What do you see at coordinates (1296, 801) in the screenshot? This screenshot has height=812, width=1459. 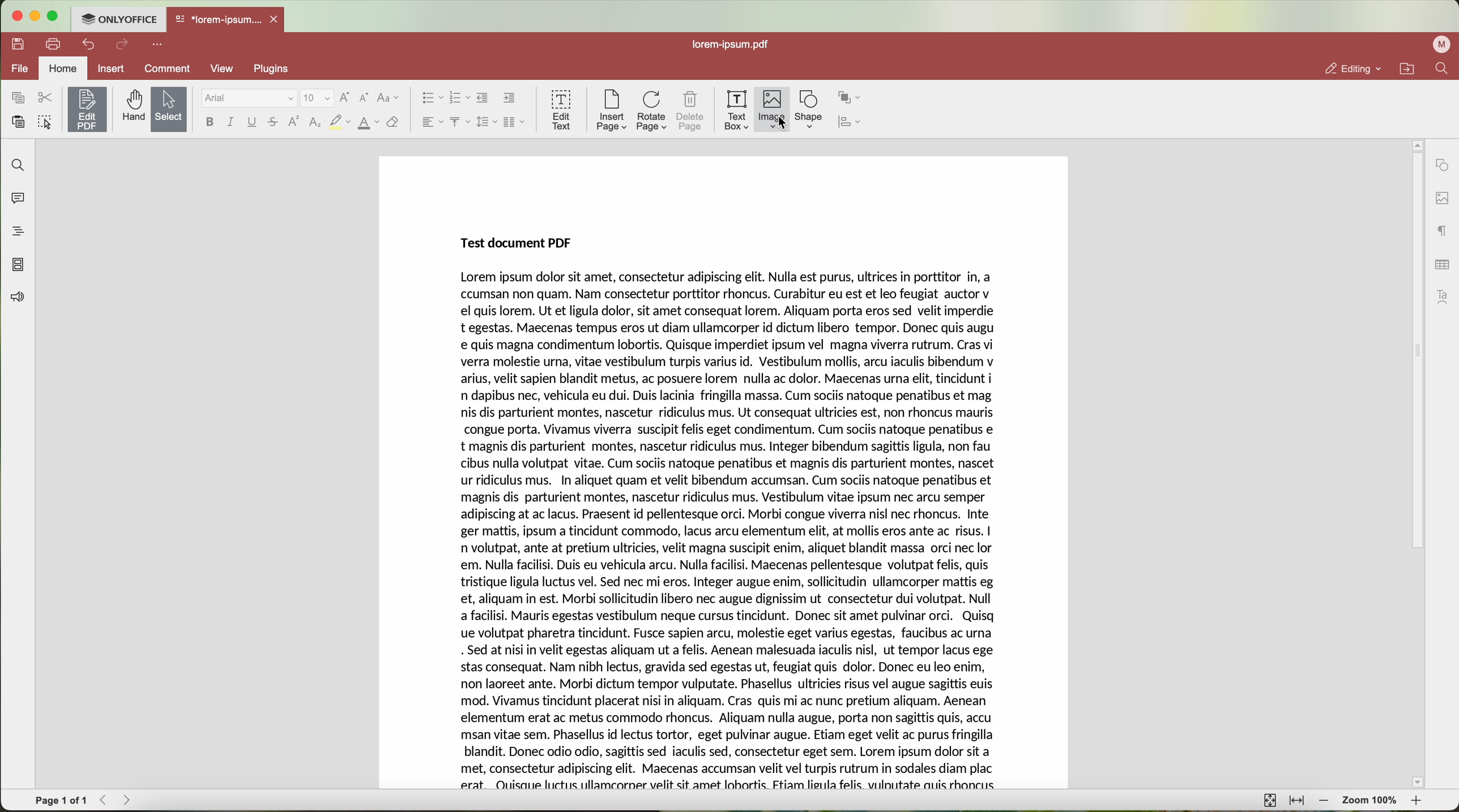 I see `fit to width` at bounding box center [1296, 801].